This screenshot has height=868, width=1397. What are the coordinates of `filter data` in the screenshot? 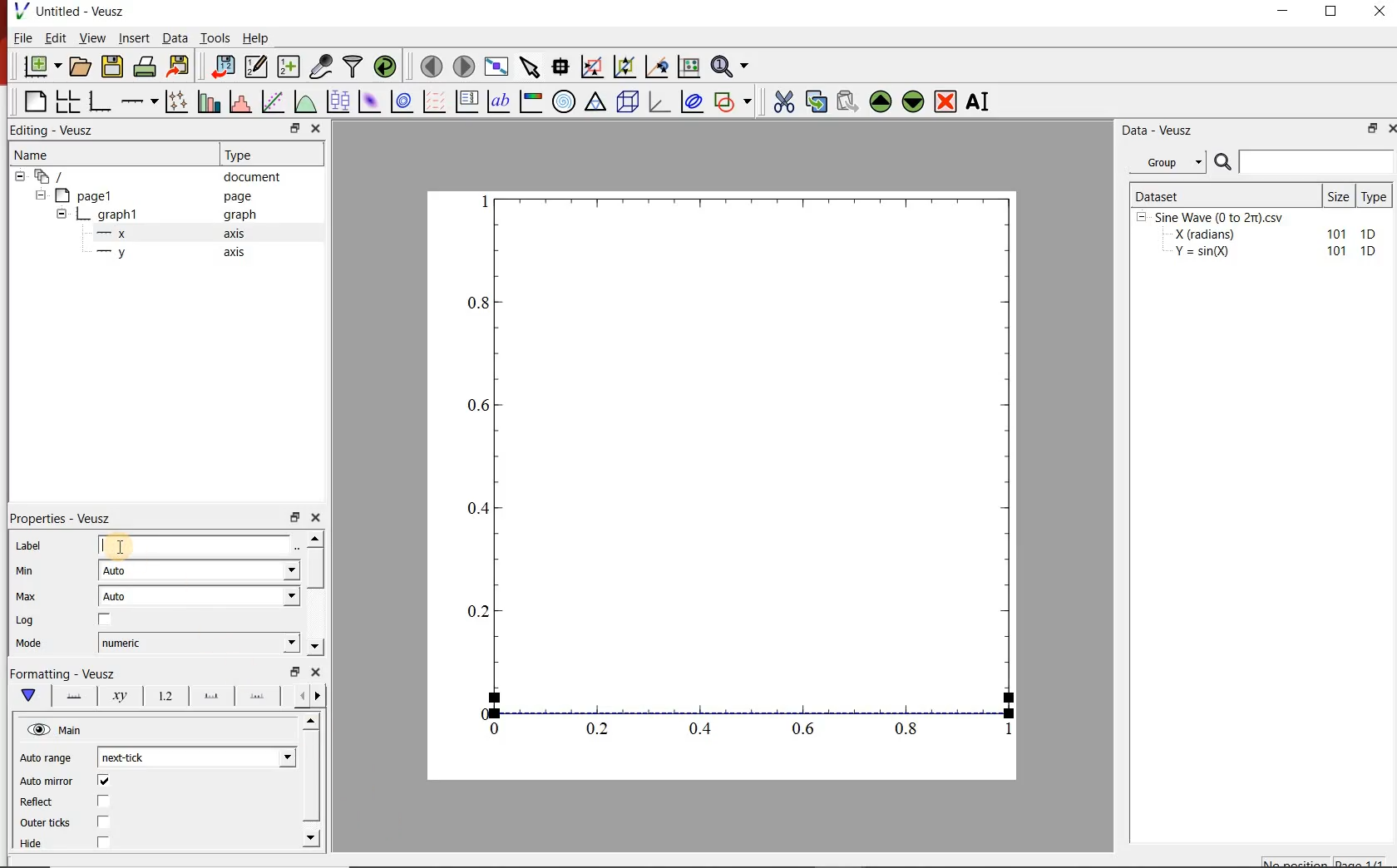 It's located at (354, 67).